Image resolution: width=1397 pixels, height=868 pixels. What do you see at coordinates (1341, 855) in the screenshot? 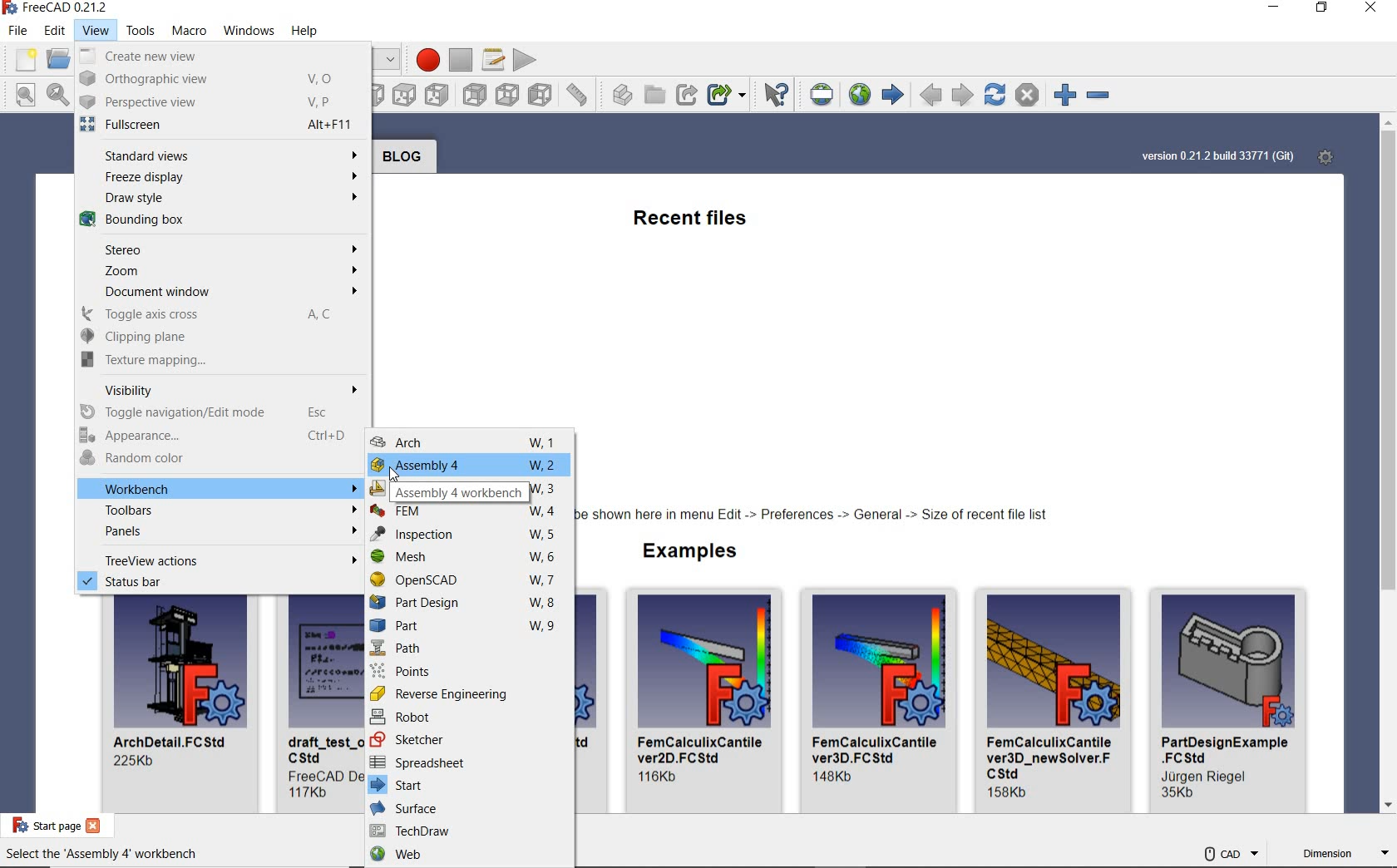
I see `dimension` at bounding box center [1341, 855].